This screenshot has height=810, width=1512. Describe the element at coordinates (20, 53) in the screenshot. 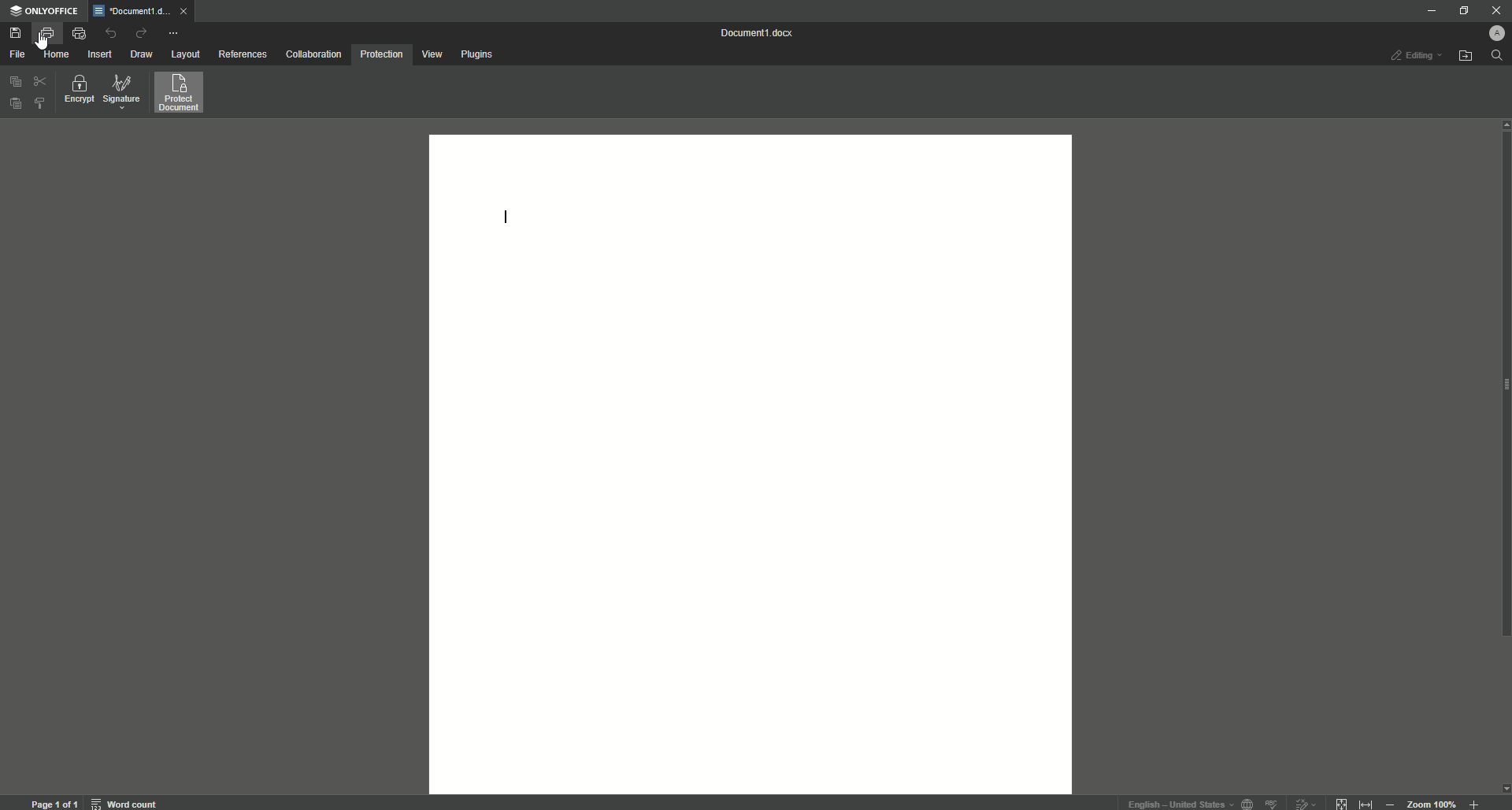

I see `File` at that location.